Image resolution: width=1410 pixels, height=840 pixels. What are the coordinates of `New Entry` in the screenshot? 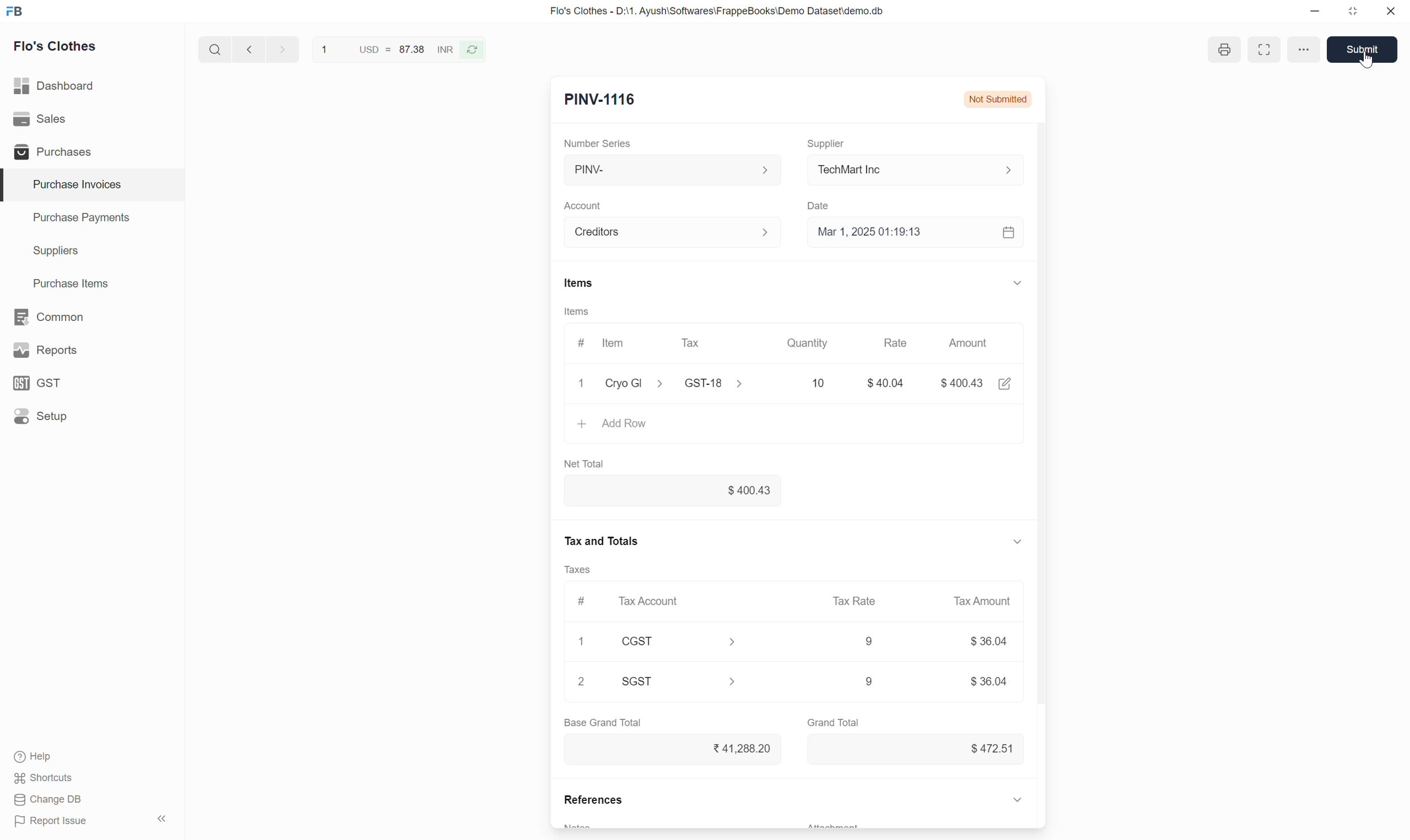 It's located at (599, 101).